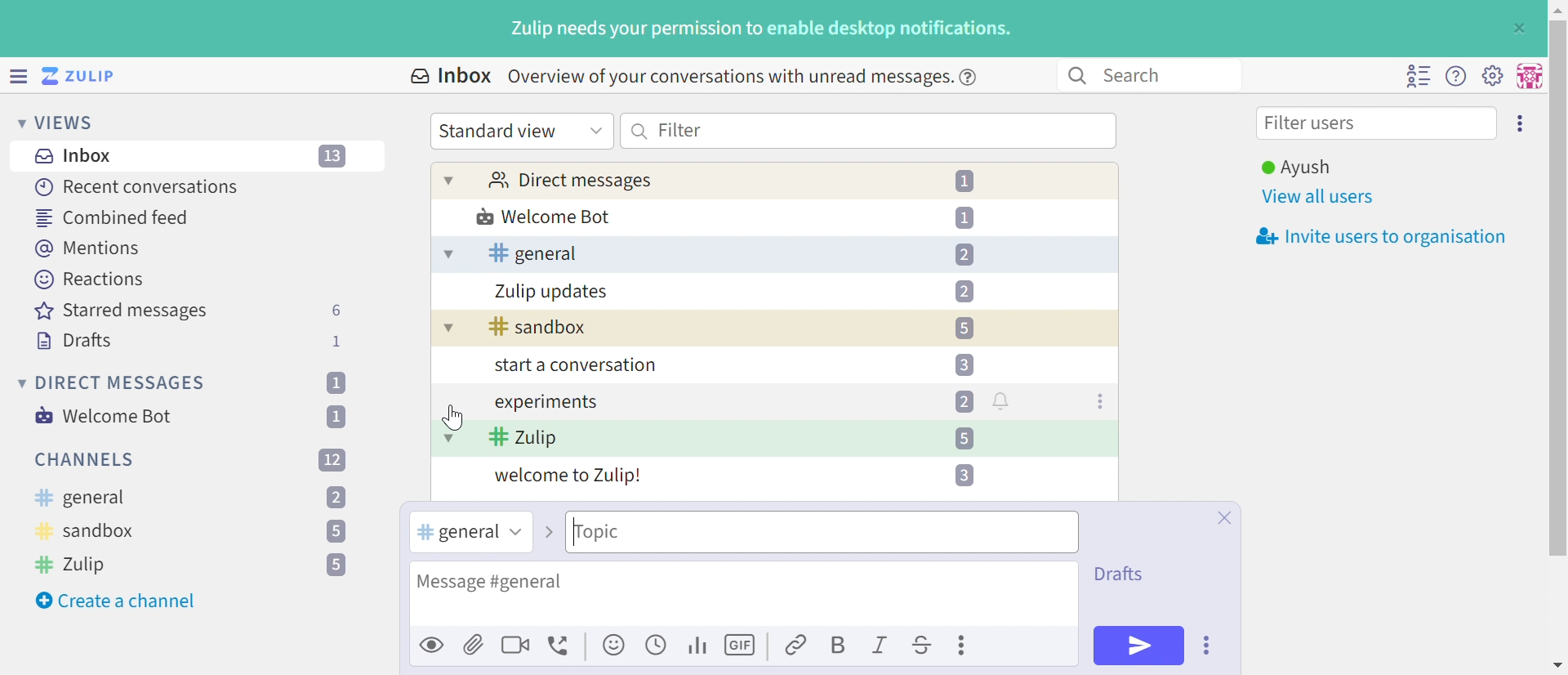 The width and height of the screenshot is (1568, 675). What do you see at coordinates (569, 477) in the screenshot?
I see `welcome to Zulip!` at bounding box center [569, 477].